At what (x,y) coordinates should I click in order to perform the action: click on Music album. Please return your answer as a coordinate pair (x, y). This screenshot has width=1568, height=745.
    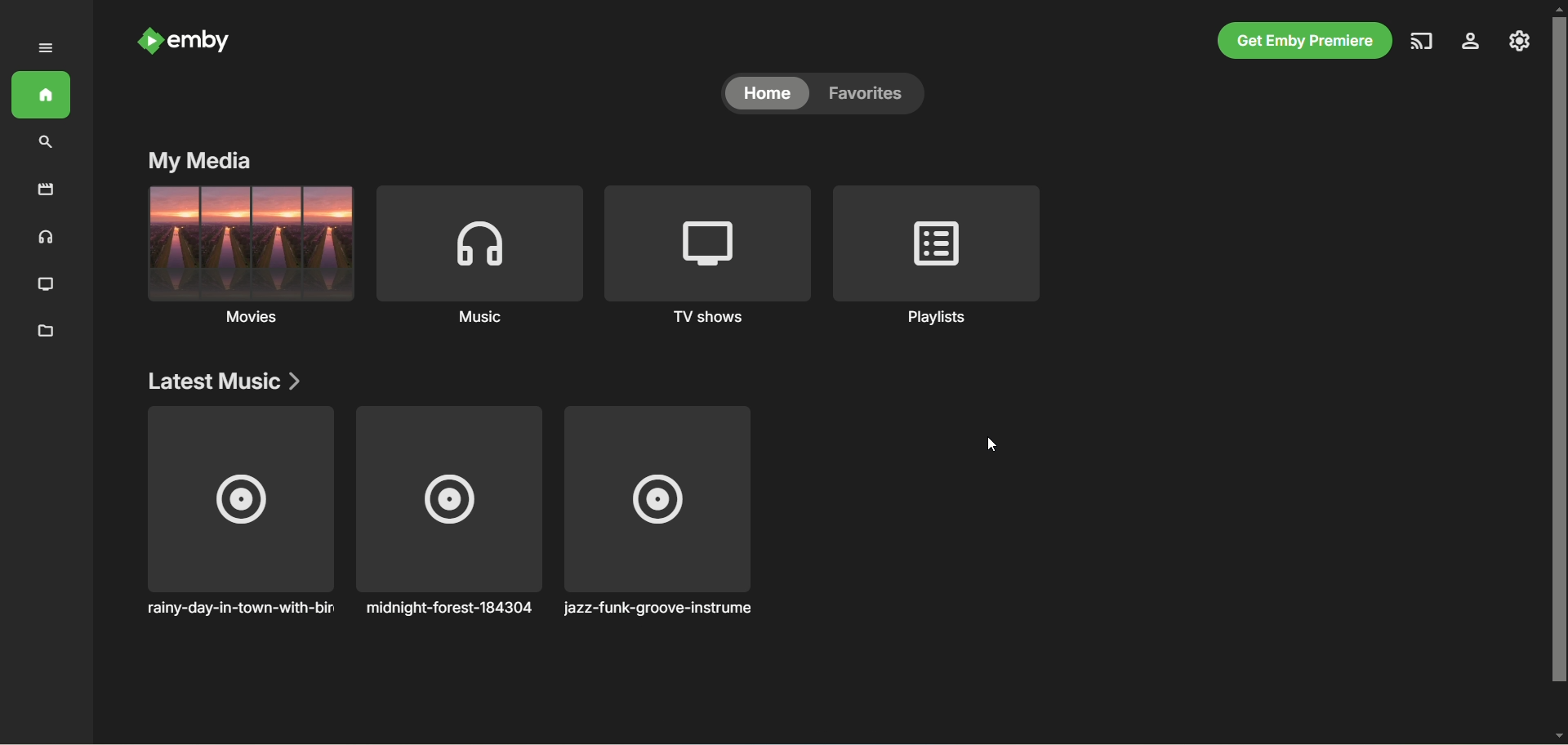
    Looking at the image, I should click on (240, 511).